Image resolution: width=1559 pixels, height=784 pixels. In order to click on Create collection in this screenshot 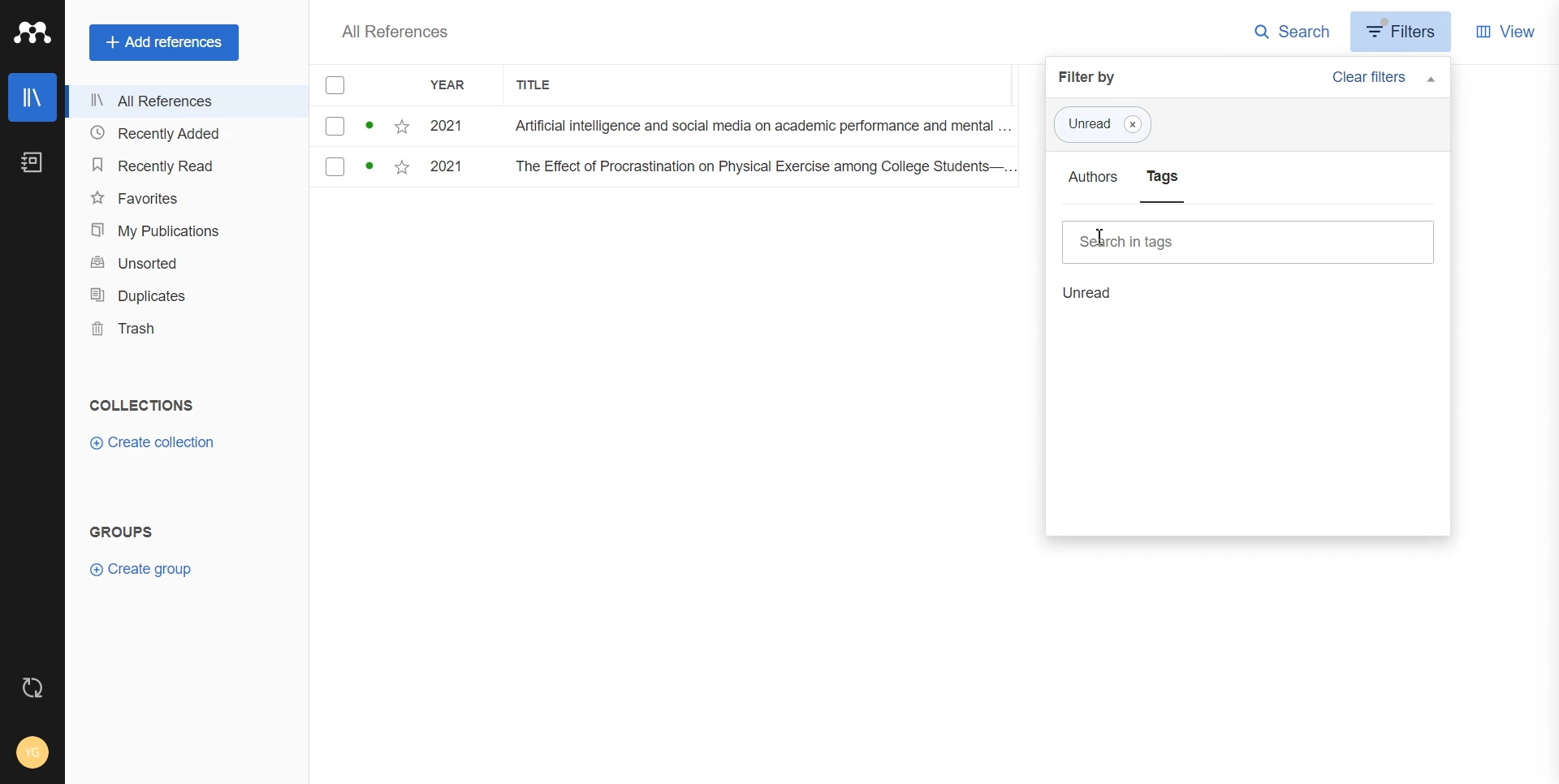, I will do `click(152, 443)`.